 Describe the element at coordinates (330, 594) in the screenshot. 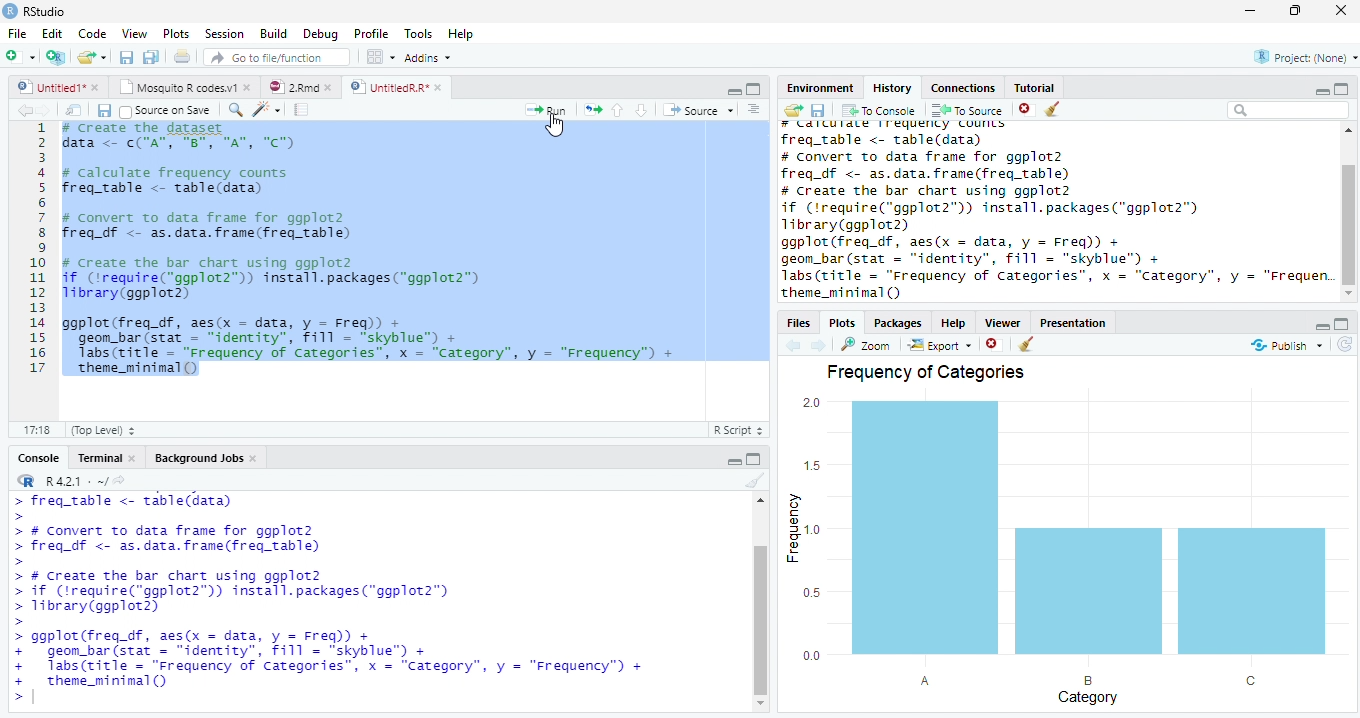

I see `>freq_table <- table(data)¢ Convert to data frame for ggplot2req_df <- as.data.frame(freq_table)¢ Create the bar chart using ggplot2if (irequire("ggplot2”)) install. packages(“ggplot2")brary (ggplot2)jgplot (freq_df, aes(x = data, y = Freq) +geom_bar (stat = “identity”, Fi11 = "skyblue") +Tabs(title = "Frequency of categories”, x = “category”, y = “Frequency”) +theme_minimal()` at that location.